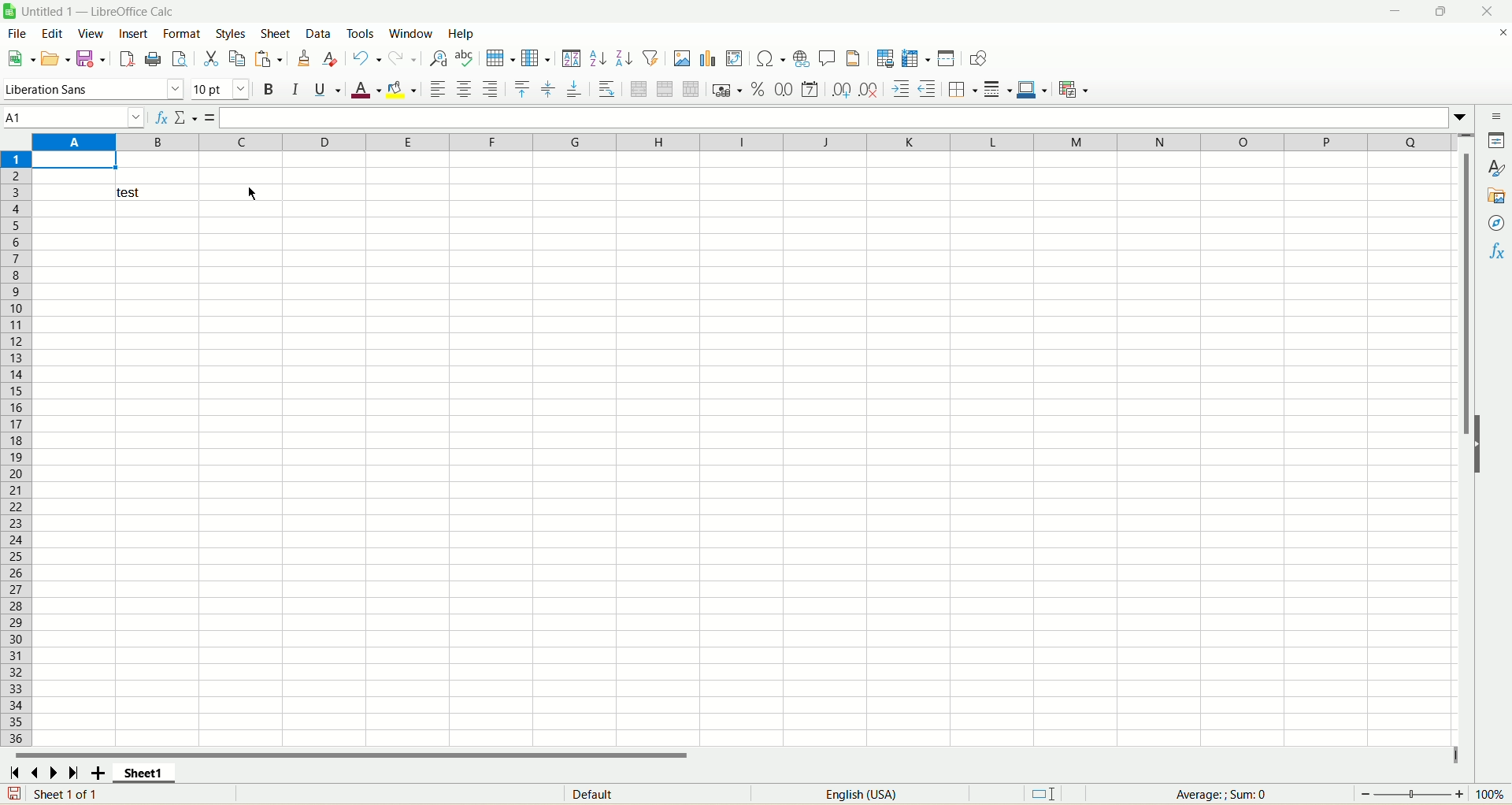 This screenshot has width=1512, height=805. I want to click on Increase indent, so click(900, 89).